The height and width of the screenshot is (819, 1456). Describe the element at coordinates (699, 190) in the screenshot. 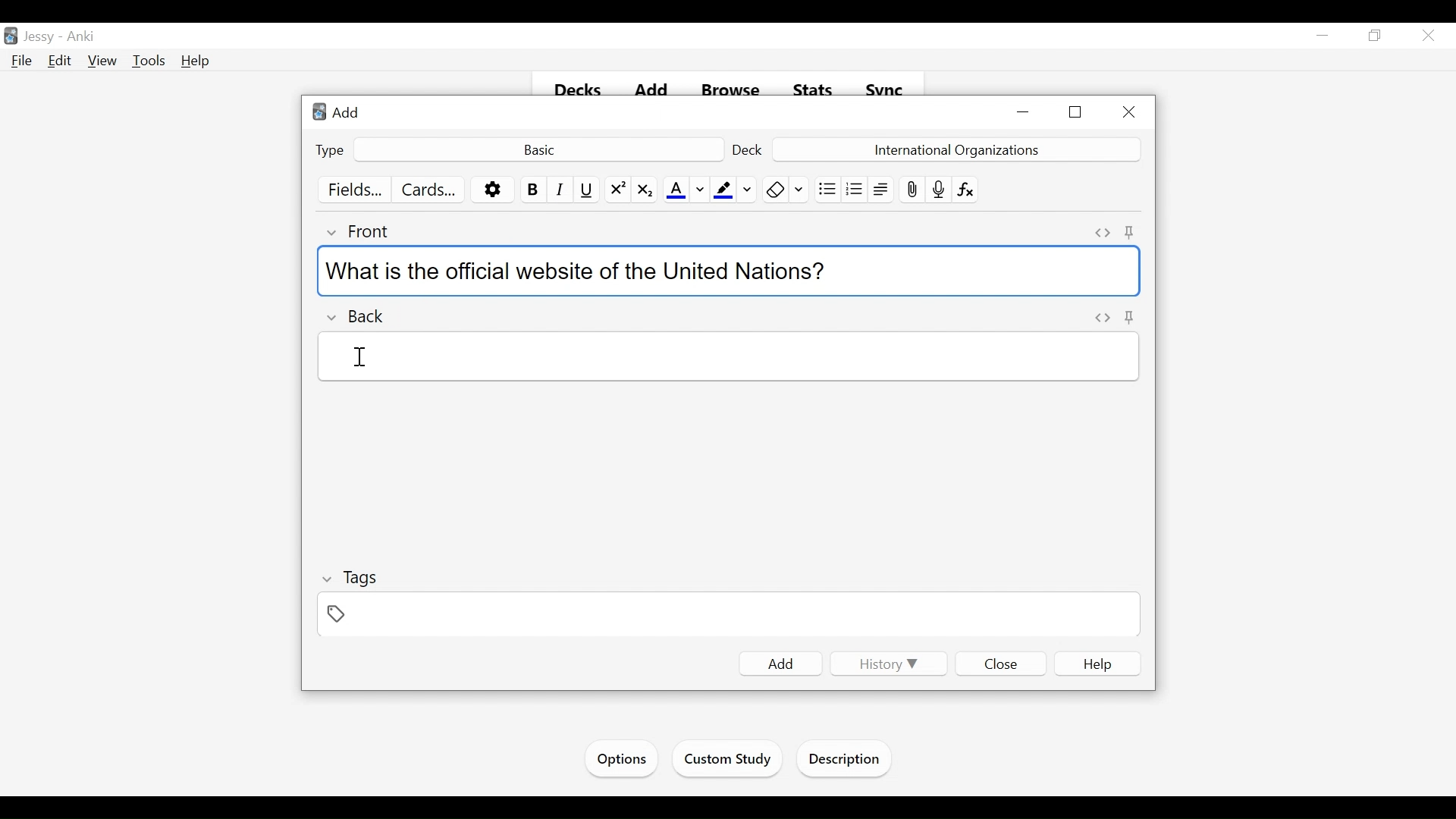

I see `Change color` at that location.